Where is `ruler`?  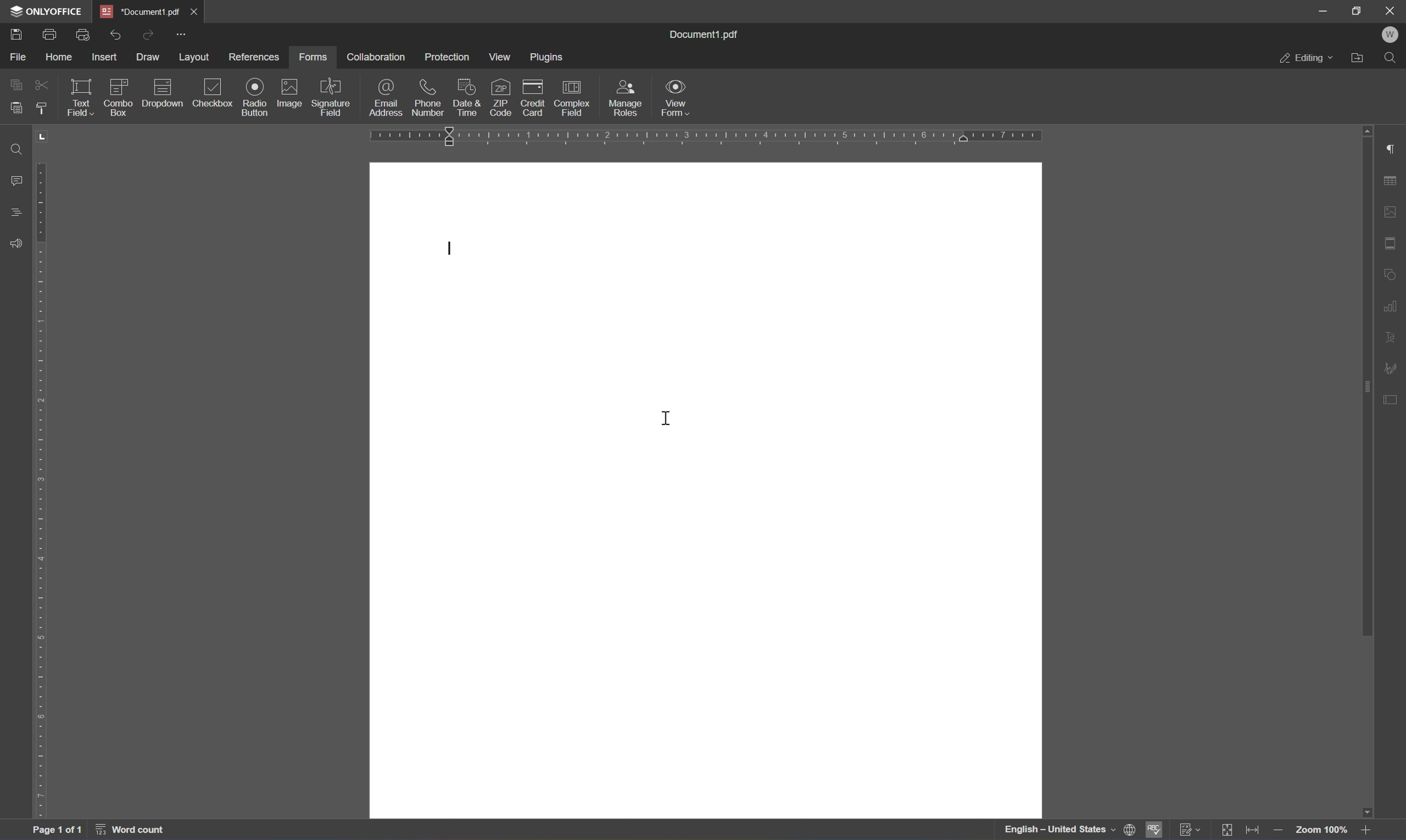
ruler is located at coordinates (712, 136).